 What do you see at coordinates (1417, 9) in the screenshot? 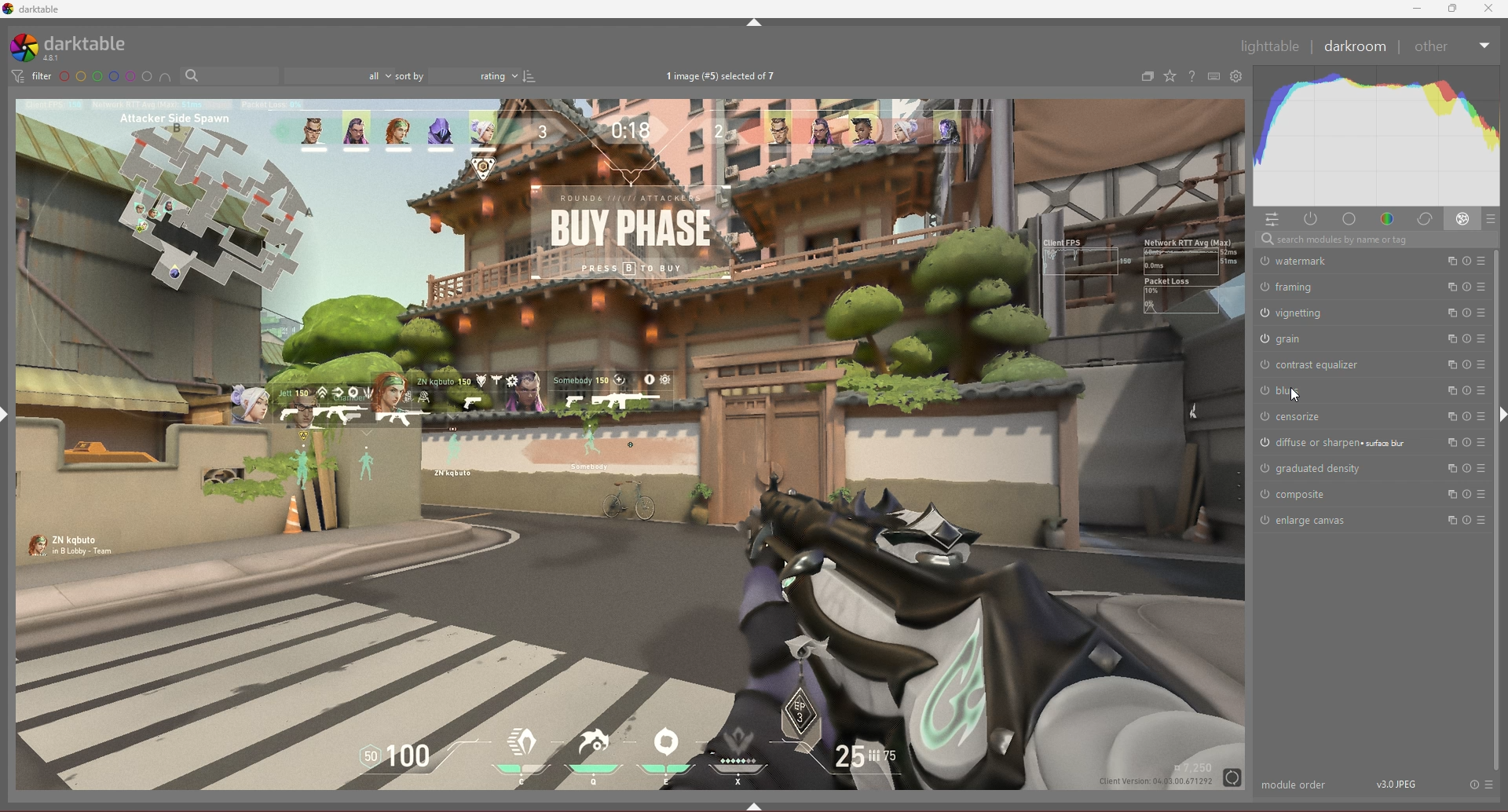
I see `minimize` at bounding box center [1417, 9].